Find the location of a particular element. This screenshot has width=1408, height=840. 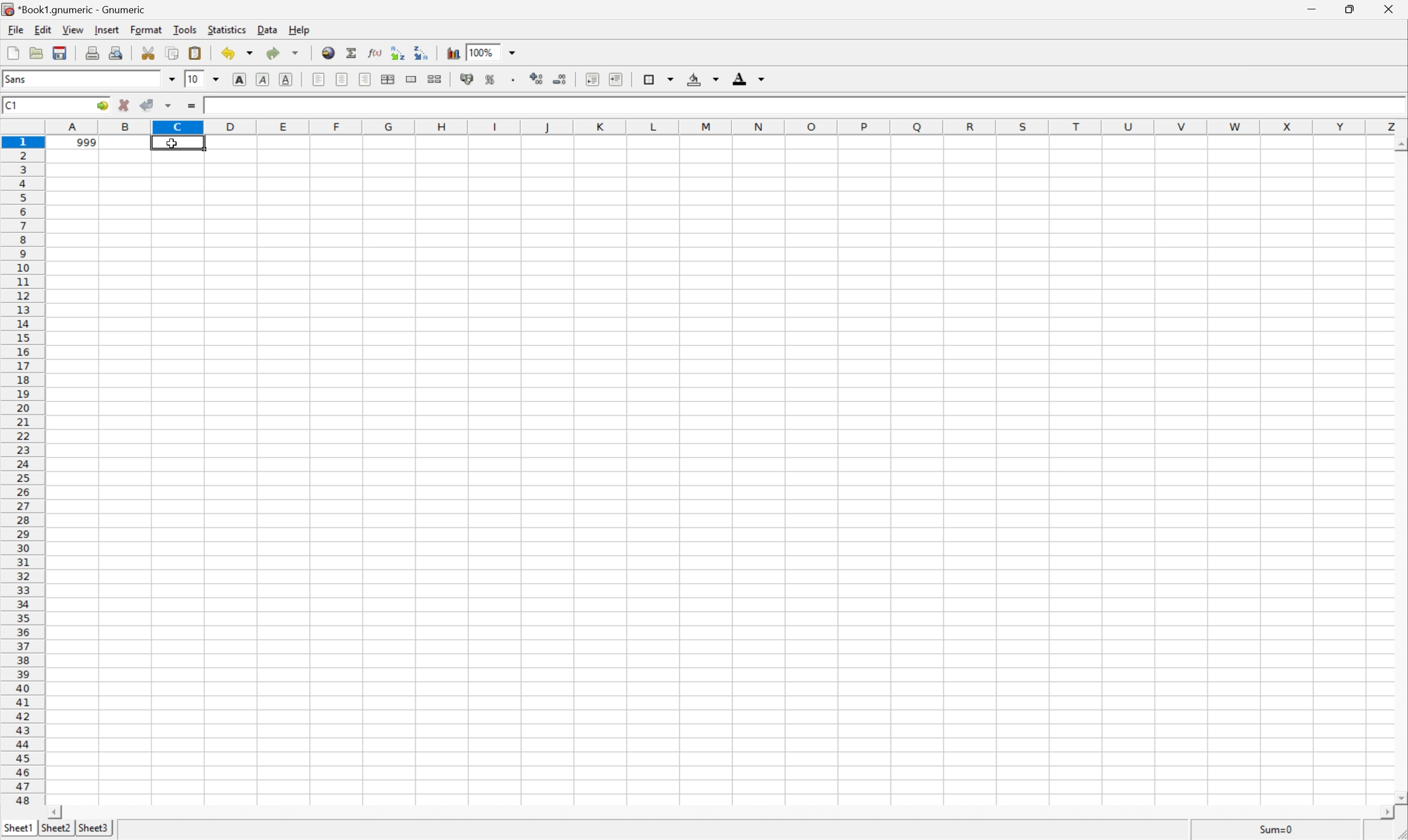

decrease indent is located at coordinates (592, 80).